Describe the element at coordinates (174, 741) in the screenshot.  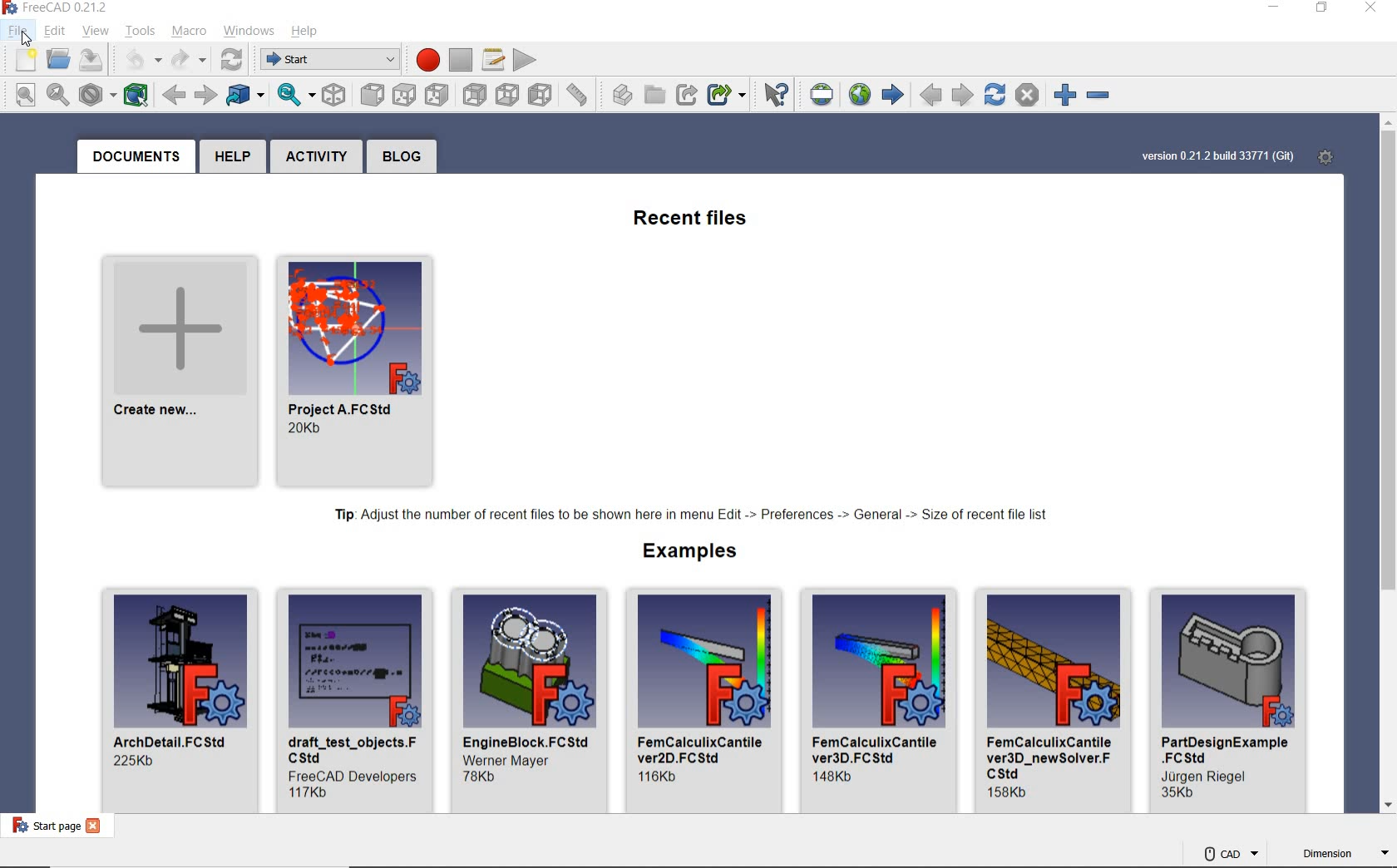
I see `name` at that location.